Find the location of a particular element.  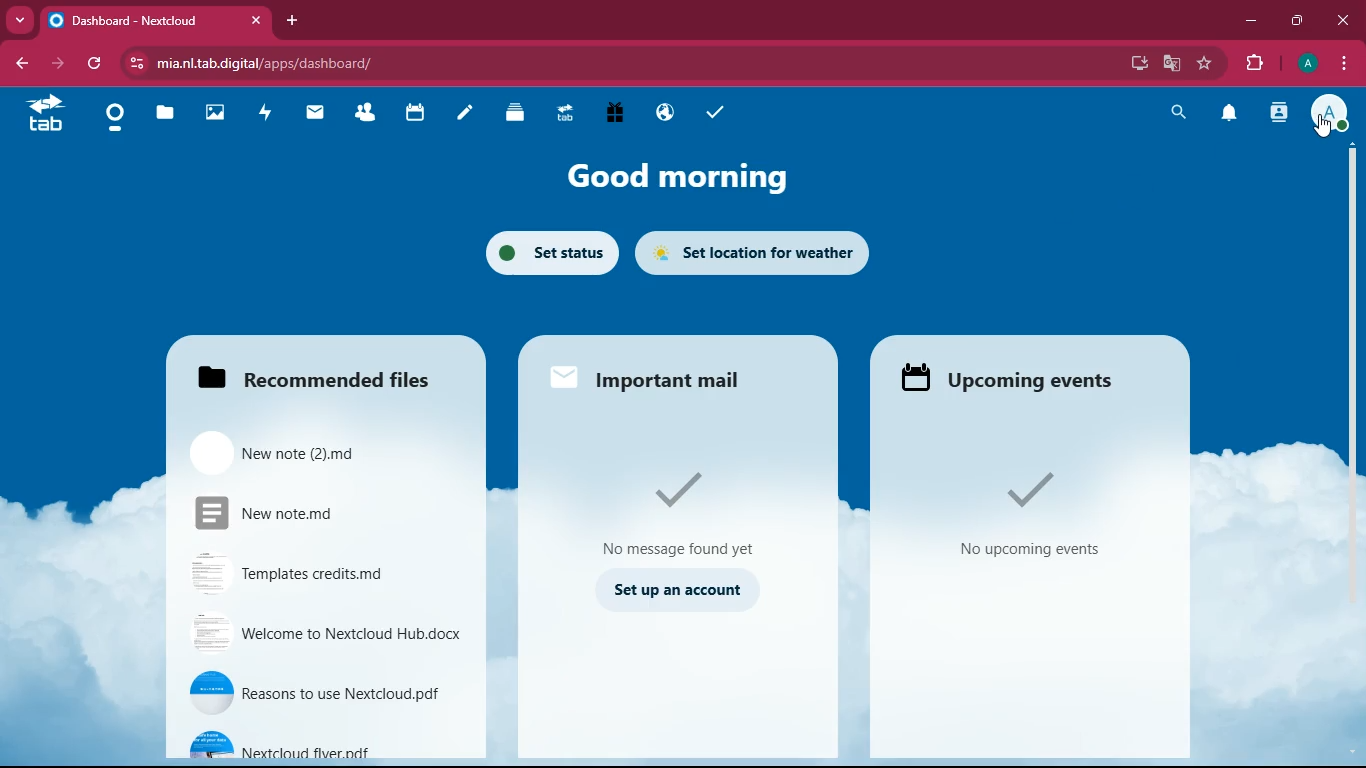

profile is located at coordinates (1328, 115).